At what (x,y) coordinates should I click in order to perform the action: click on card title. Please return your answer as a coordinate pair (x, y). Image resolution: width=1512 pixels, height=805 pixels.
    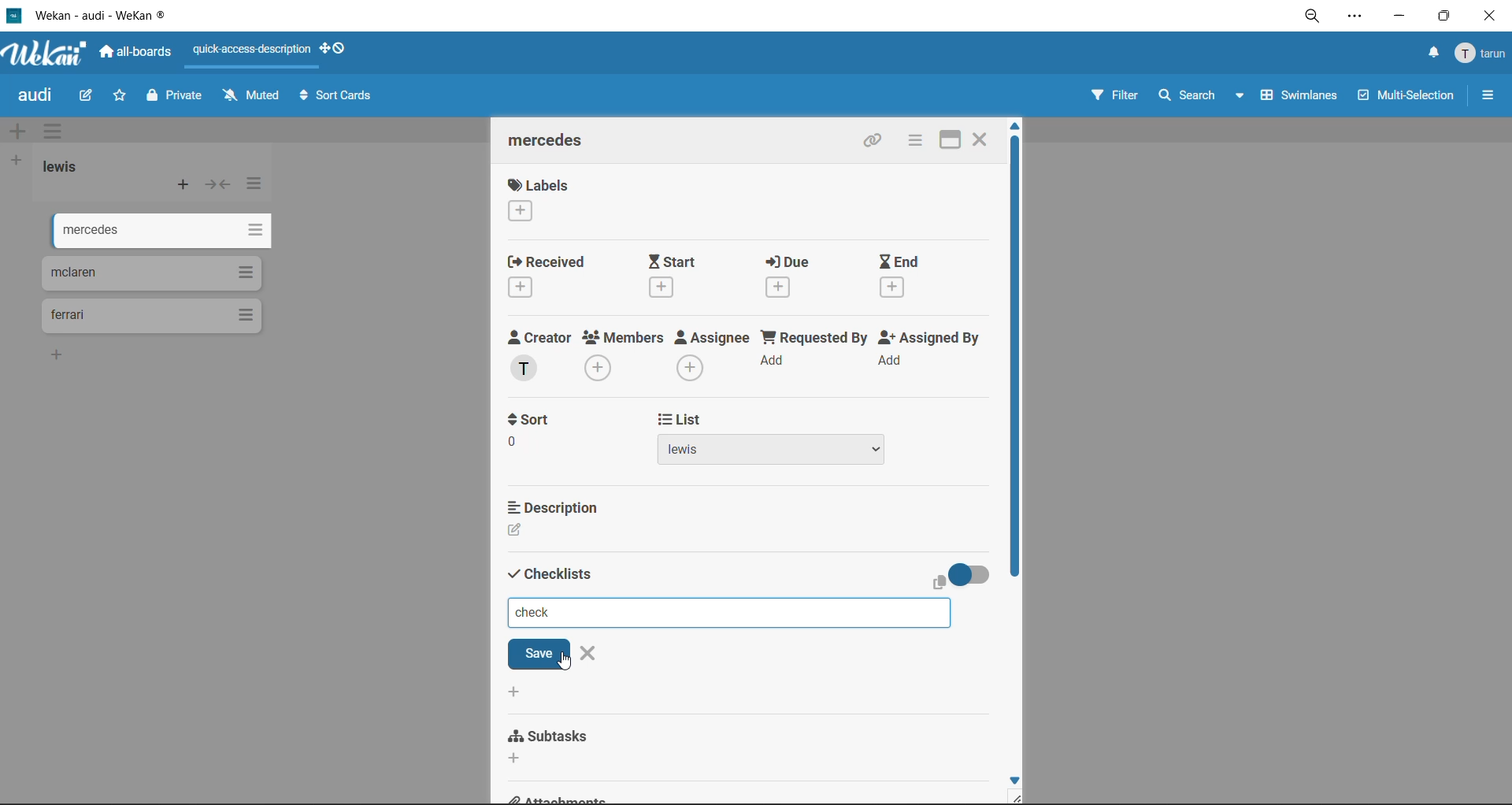
    Looking at the image, I should click on (553, 143).